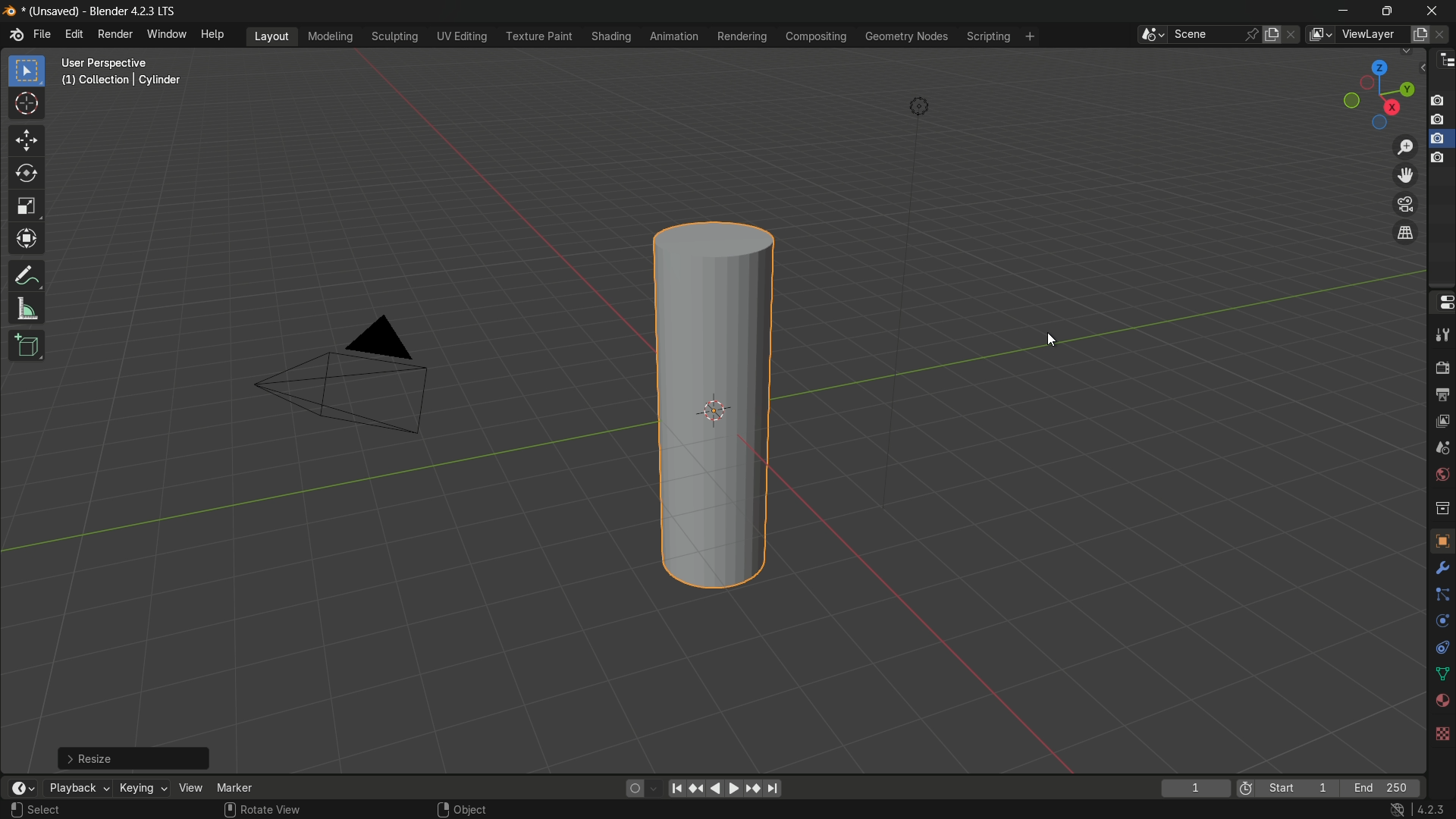 The width and height of the screenshot is (1456, 819). I want to click on help menu, so click(214, 35).